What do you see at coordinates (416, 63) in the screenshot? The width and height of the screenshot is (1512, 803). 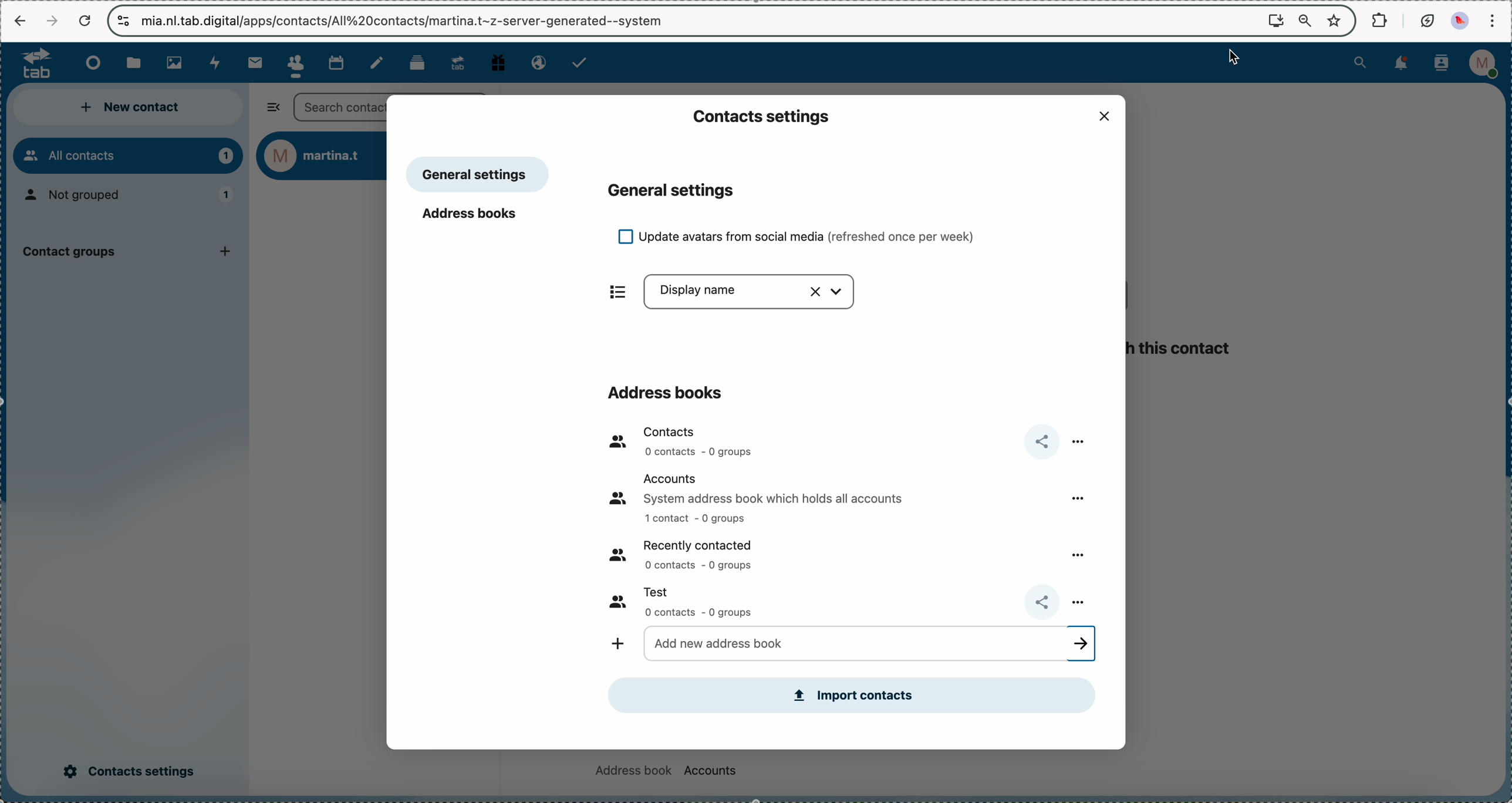 I see `deck` at bounding box center [416, 63].